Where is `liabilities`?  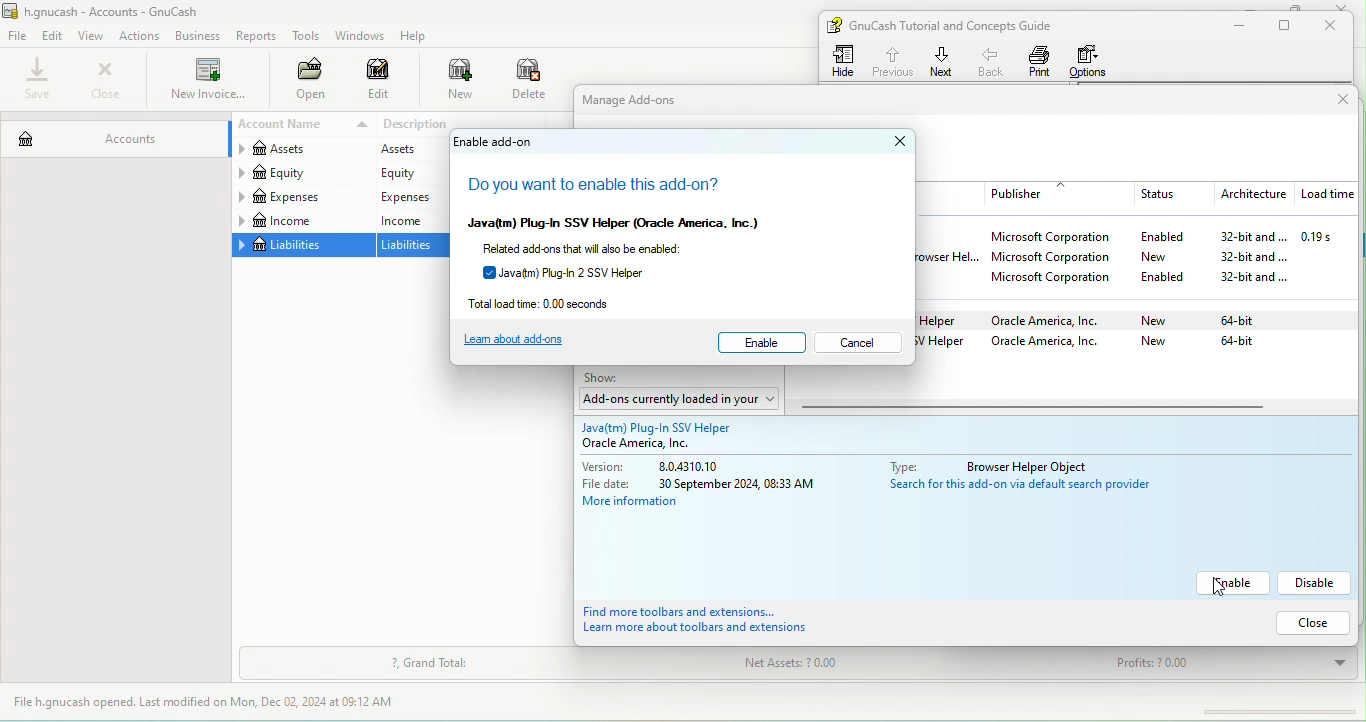 liabilities is located at coordinates (302, 246).